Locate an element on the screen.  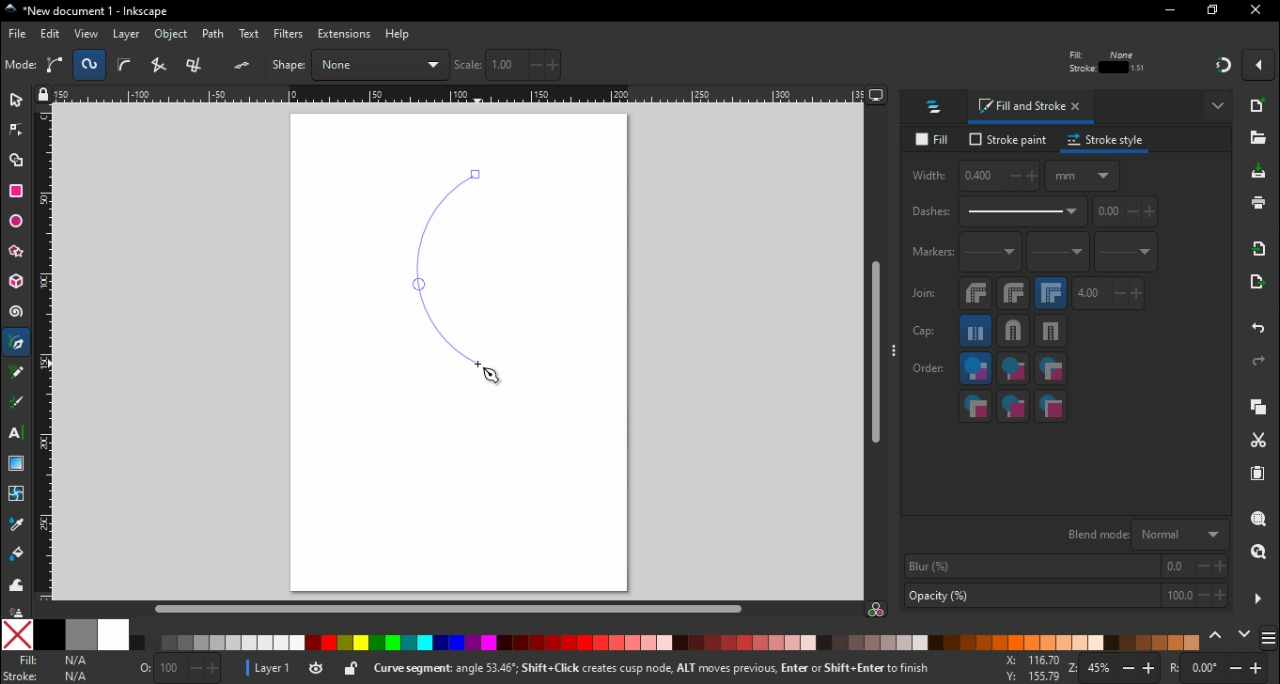
star/polygon tool is located at coordinates (17, 257).